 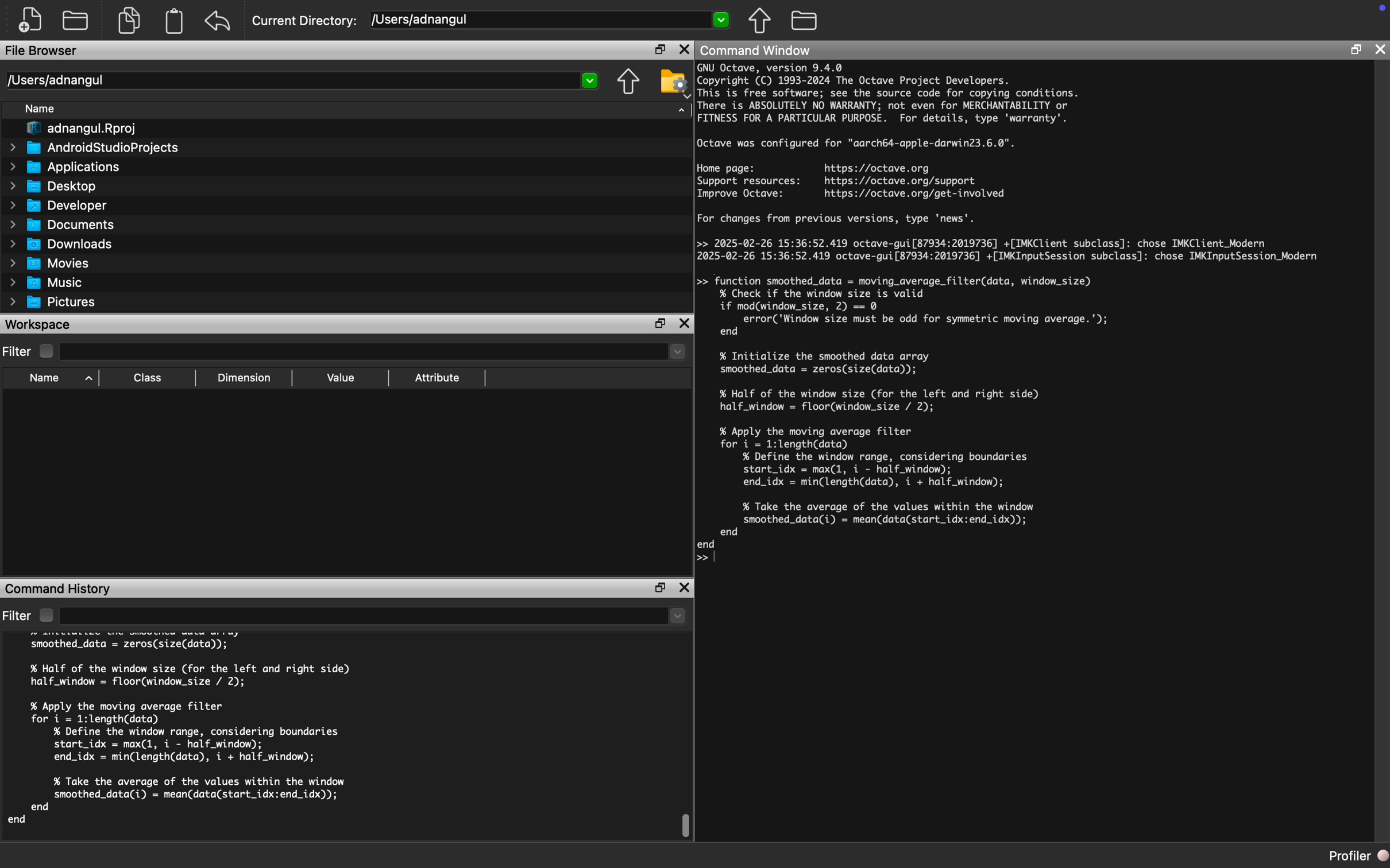 What do you see at coordinates (1355, 49) in the screenshot?
I see `Restore Down` at bounding box center [1355, 49].